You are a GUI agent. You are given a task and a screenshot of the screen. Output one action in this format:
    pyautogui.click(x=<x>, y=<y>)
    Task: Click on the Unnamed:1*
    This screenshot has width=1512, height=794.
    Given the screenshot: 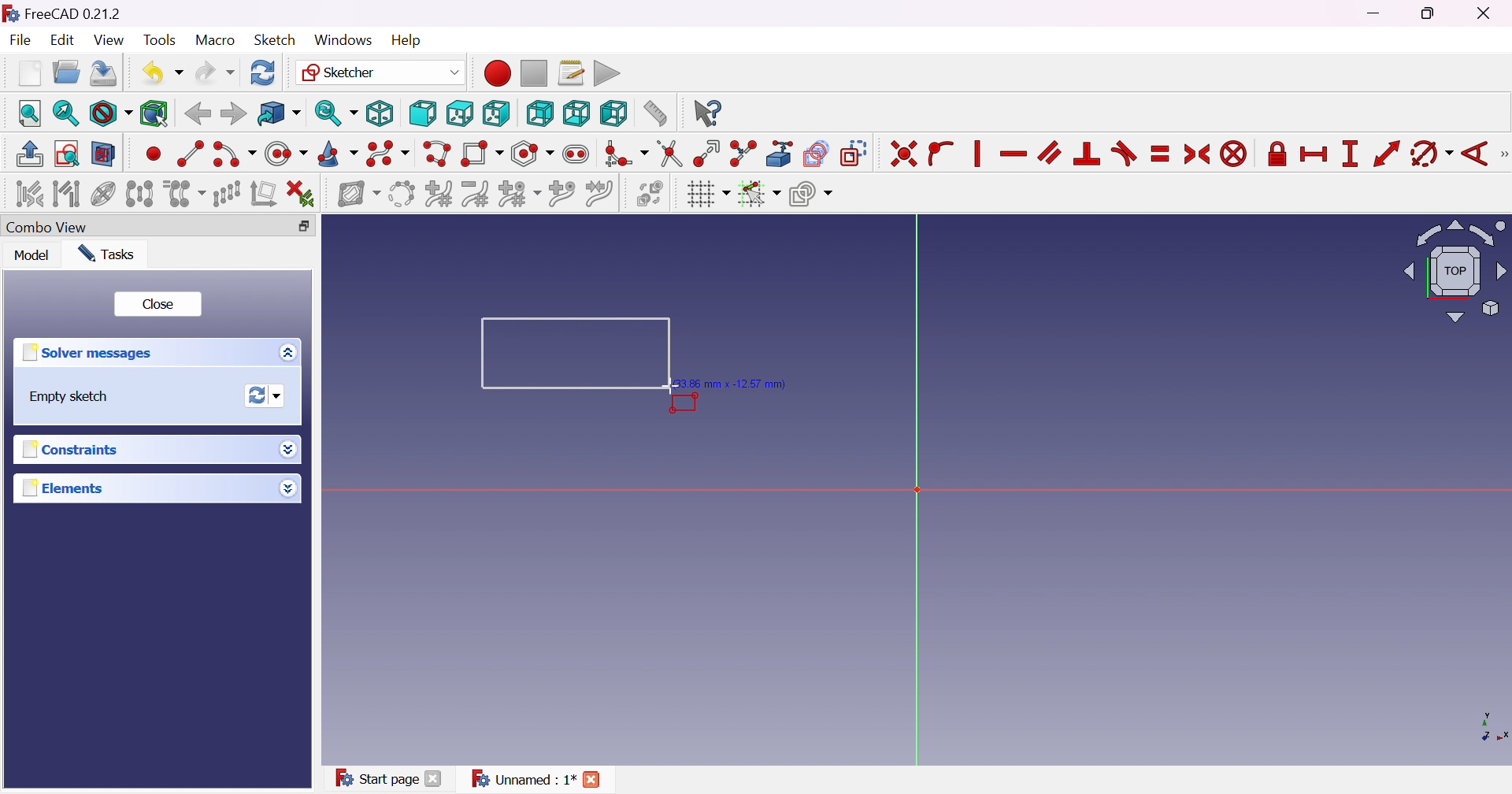 What is the action you would take?
    pyautogui.click(x=523, y=781)
    